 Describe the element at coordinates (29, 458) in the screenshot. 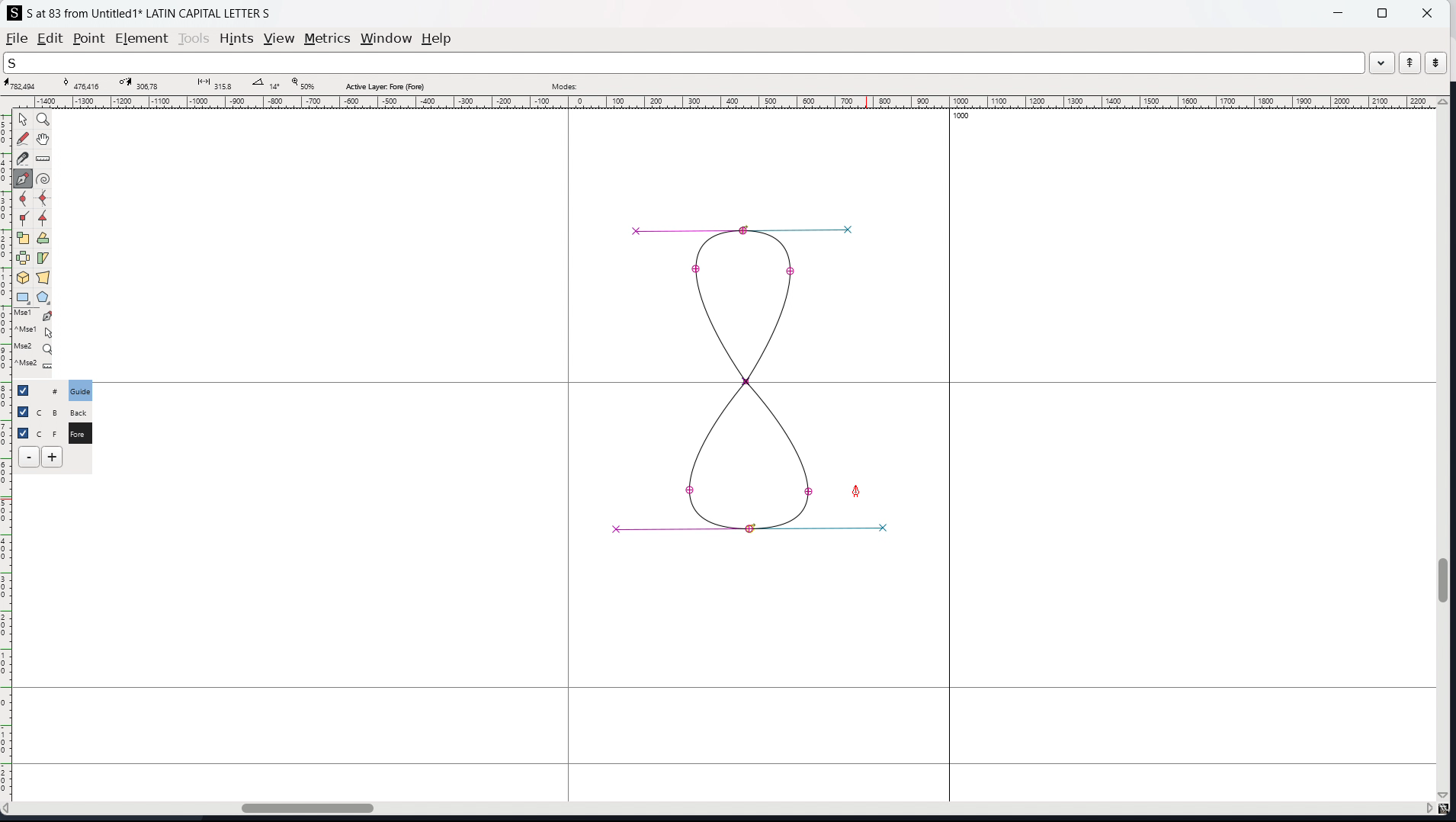

I see `delete layer` at that location.